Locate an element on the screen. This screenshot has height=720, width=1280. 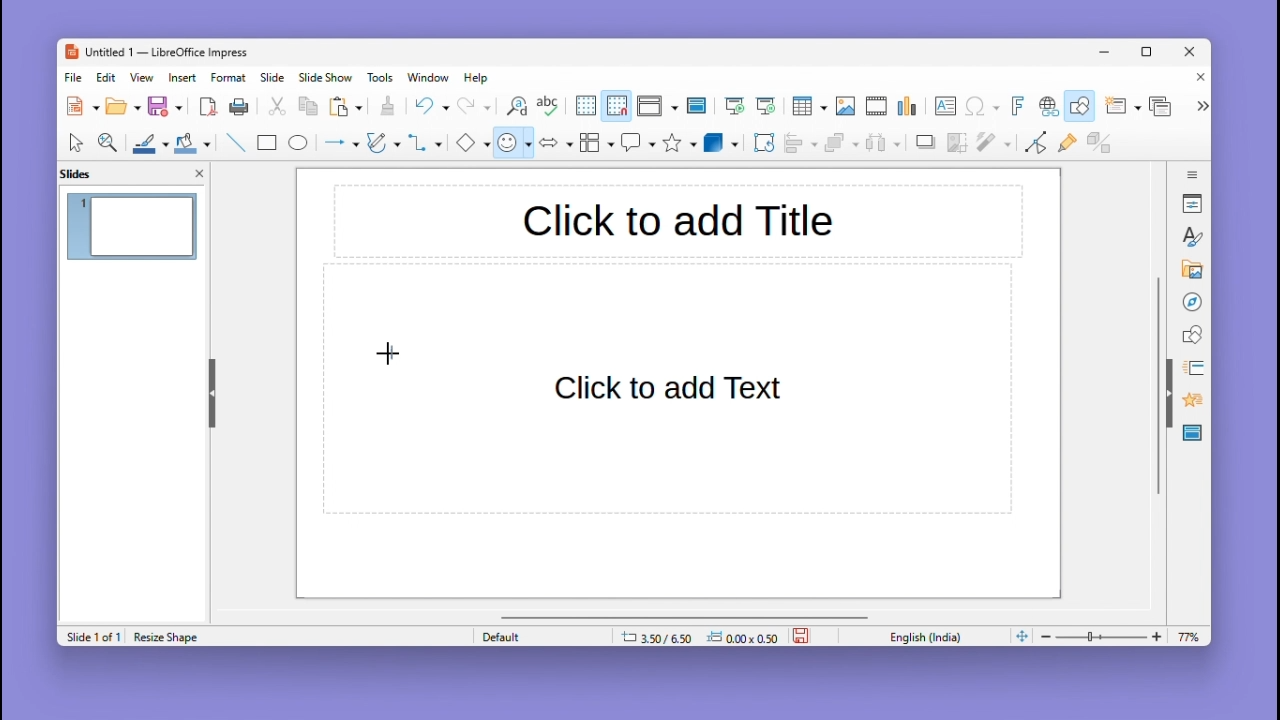
File name is located at coordinates (155, 53).